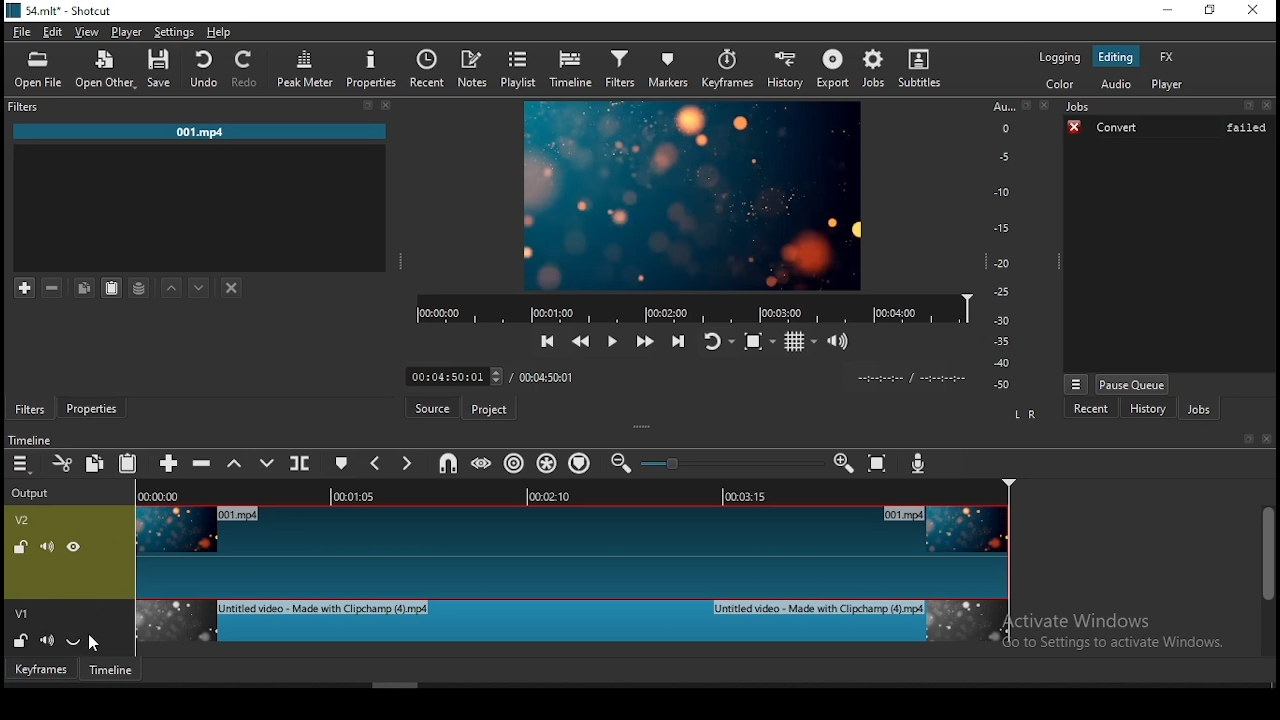 The image size is (1280, 720). Describe the element at coordinates (91, 407) in the screenshot. I see `properties` at that location.